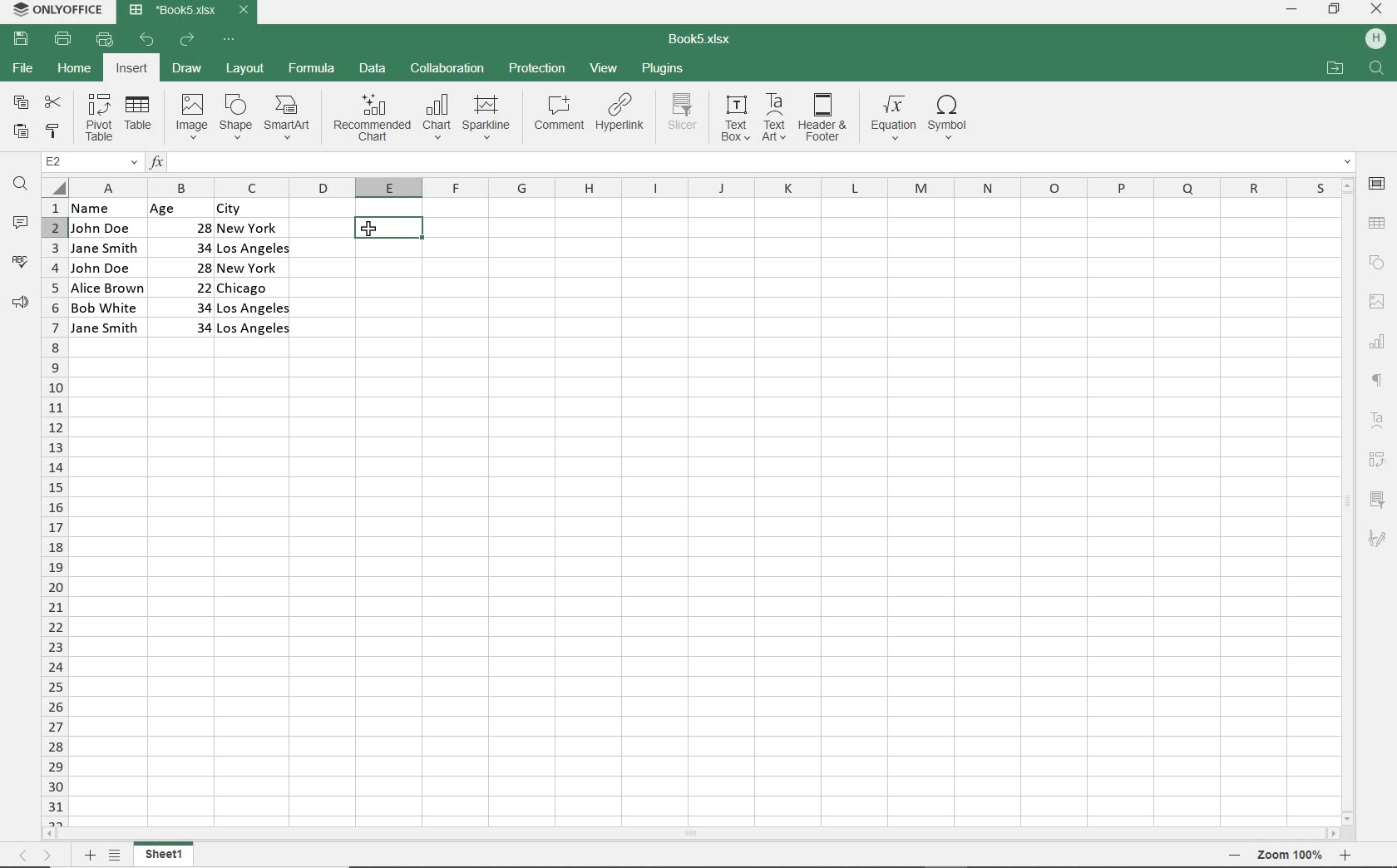 Image resolution: width=1397 pixels, height=868 pixels. What do you see at coordinates (1375, 499) in the screenshot?
I see `SLICER` at bounding box center [1375, 499].